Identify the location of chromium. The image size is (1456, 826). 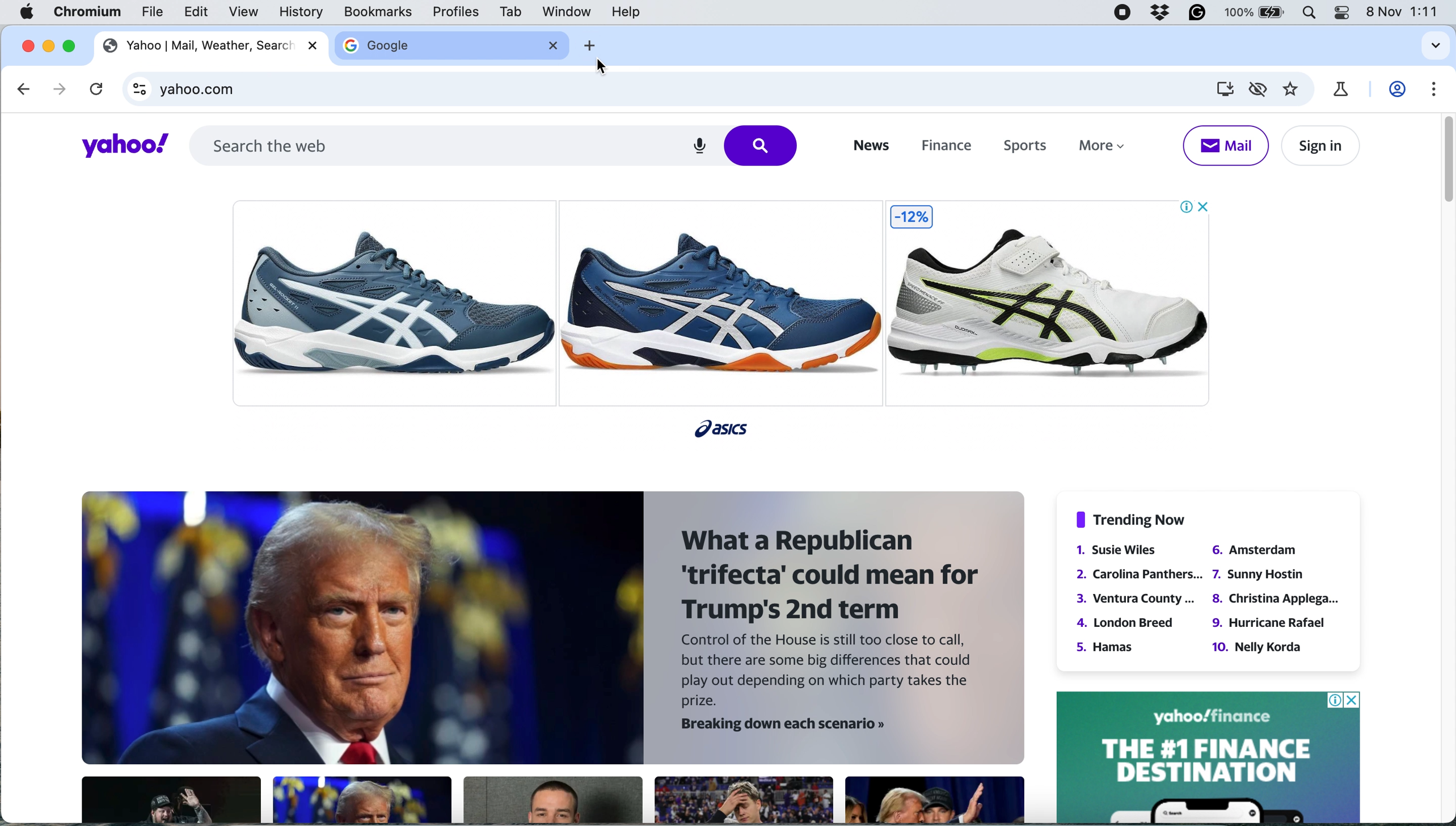
(88, 12).